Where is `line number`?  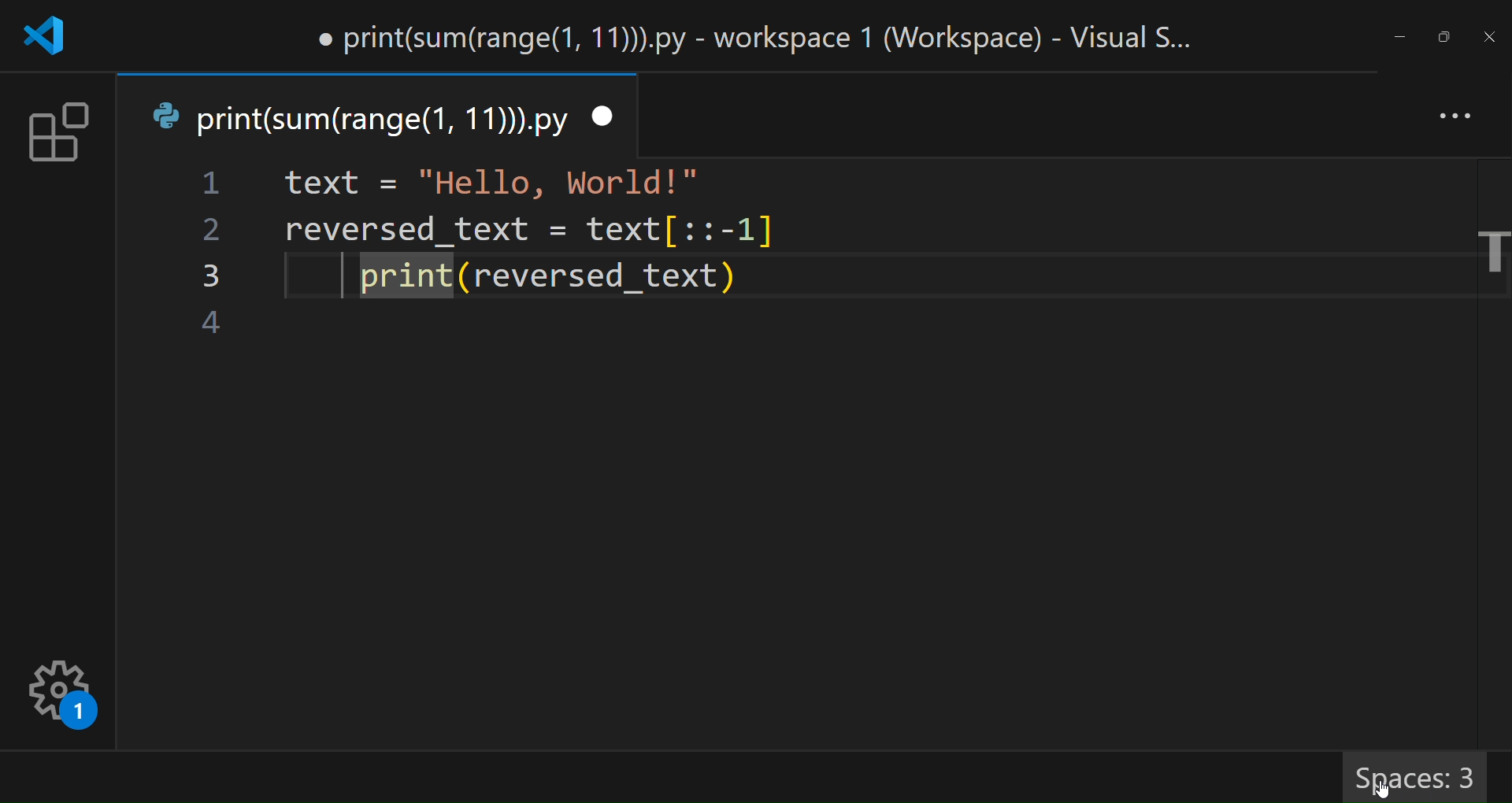
line number is located at coordinates (206, 257).